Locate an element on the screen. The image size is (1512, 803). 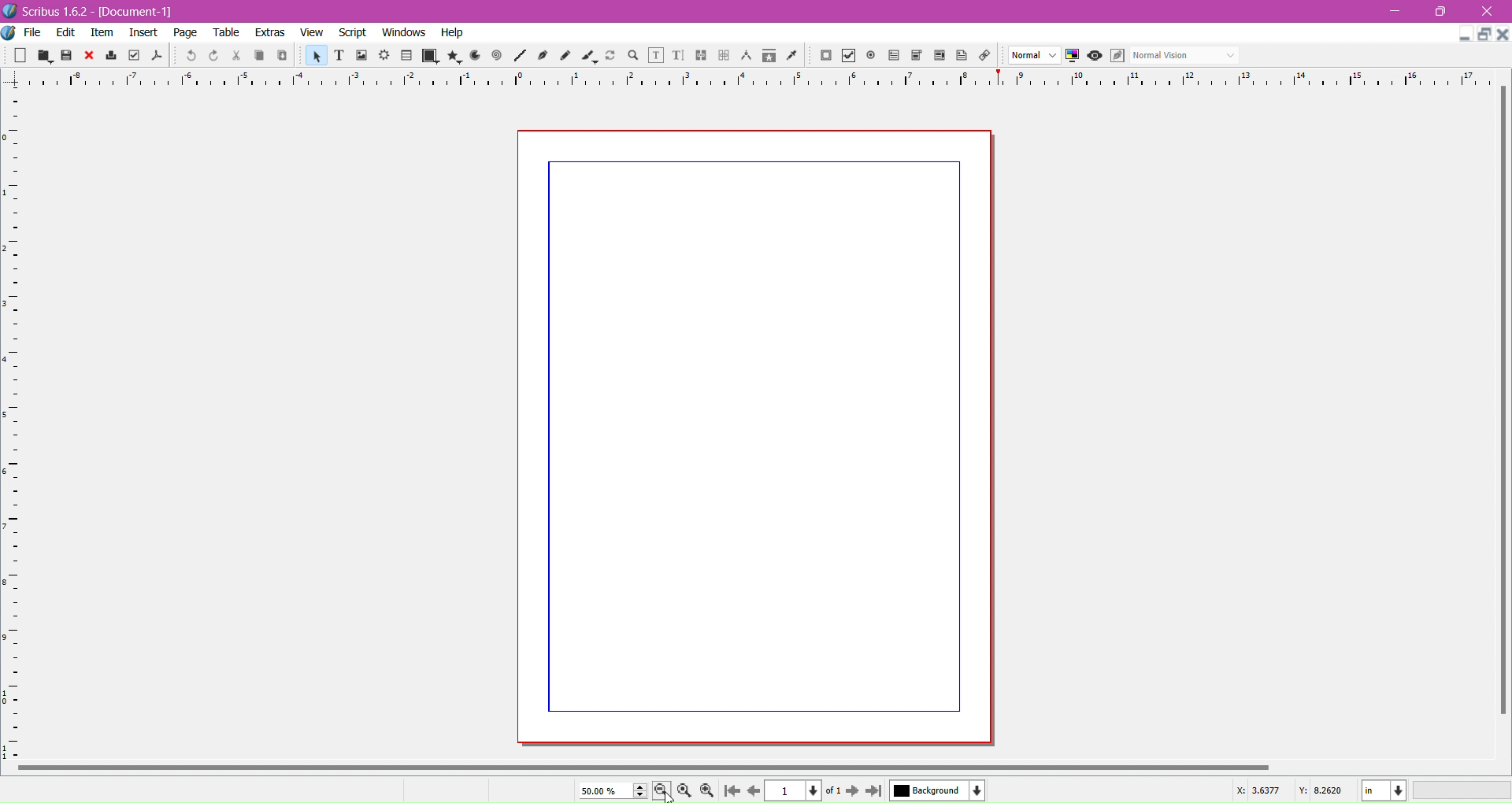
Preflight Verifier is located at coordinates (134, 55).